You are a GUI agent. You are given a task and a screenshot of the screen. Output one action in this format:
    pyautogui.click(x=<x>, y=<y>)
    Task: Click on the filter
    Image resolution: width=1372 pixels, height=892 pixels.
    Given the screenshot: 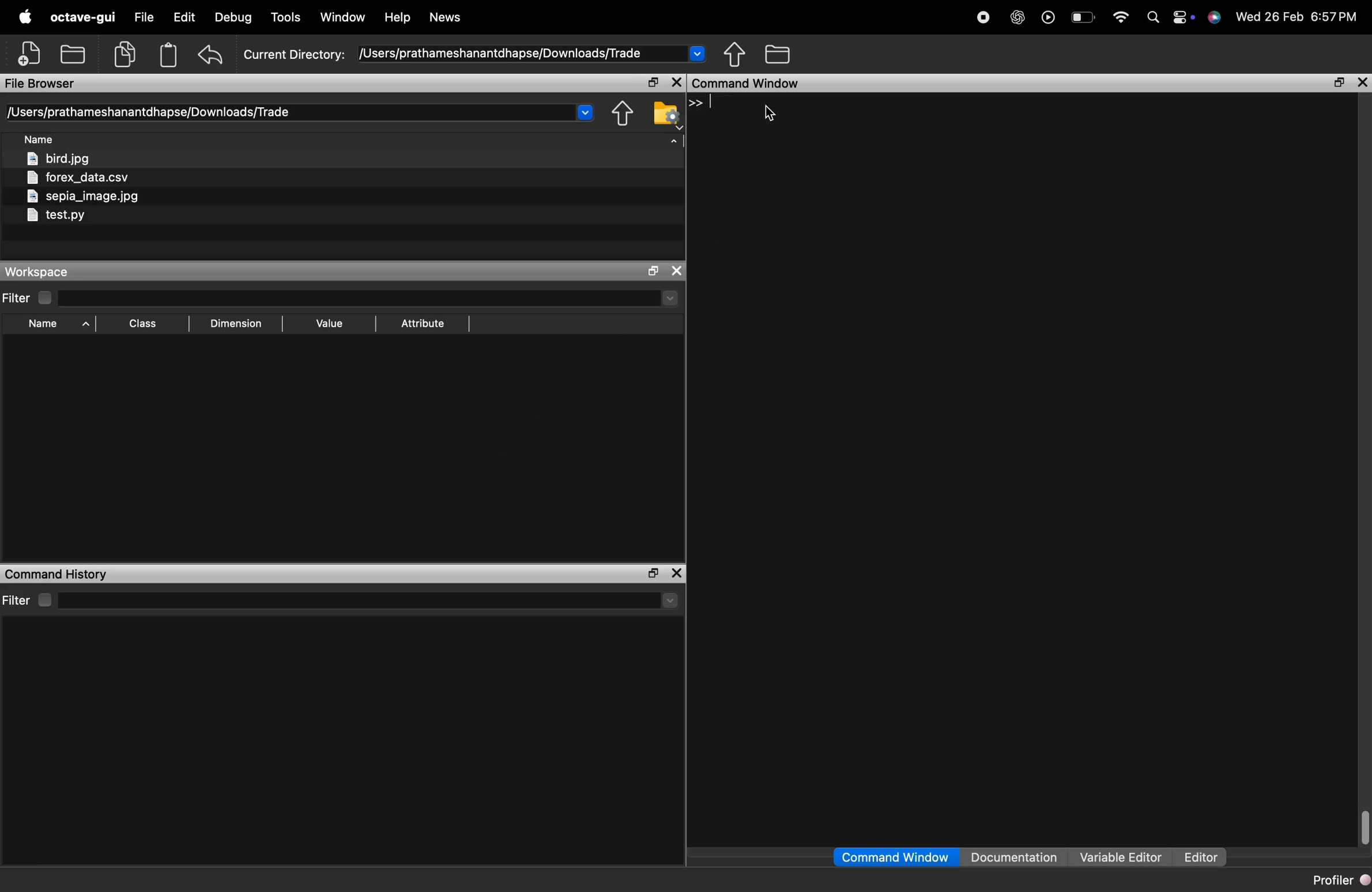 What is the action you would take?
    pyautogui.click(x=28, y=600)
    